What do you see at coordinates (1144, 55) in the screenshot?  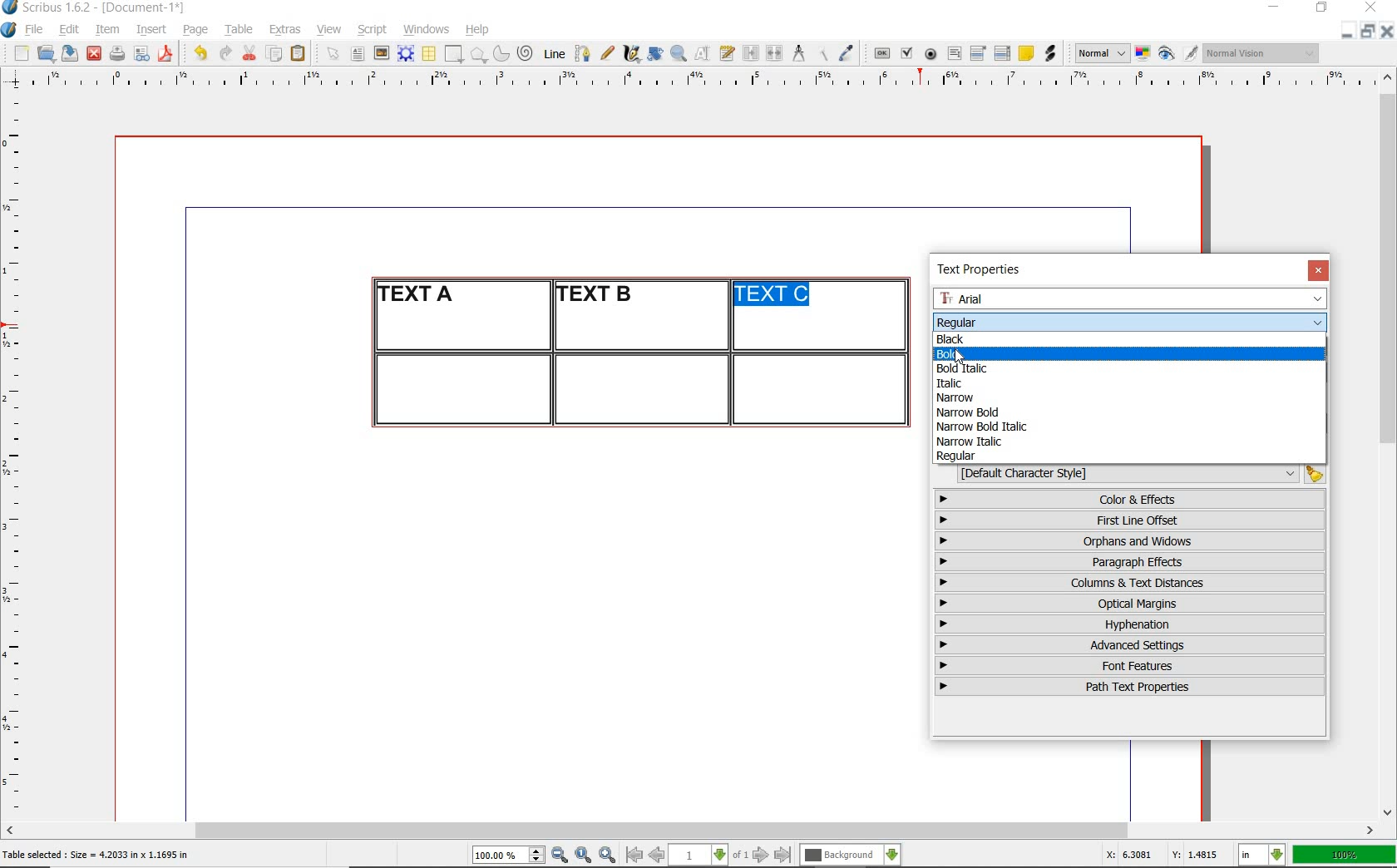 I see `toggle color management` at bounding box center [1144, 55].